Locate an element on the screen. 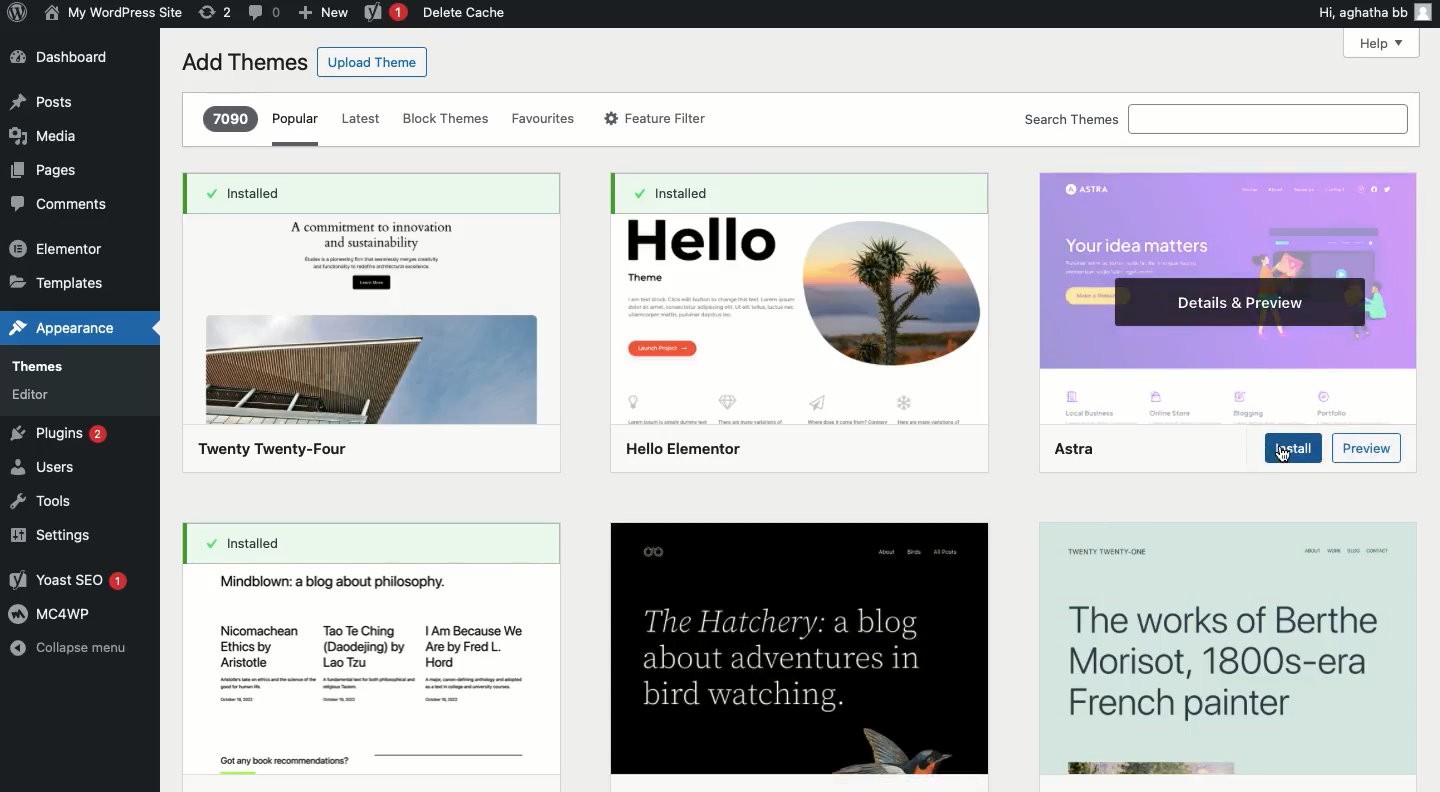  Elementor is located at coordinates (60, 245).